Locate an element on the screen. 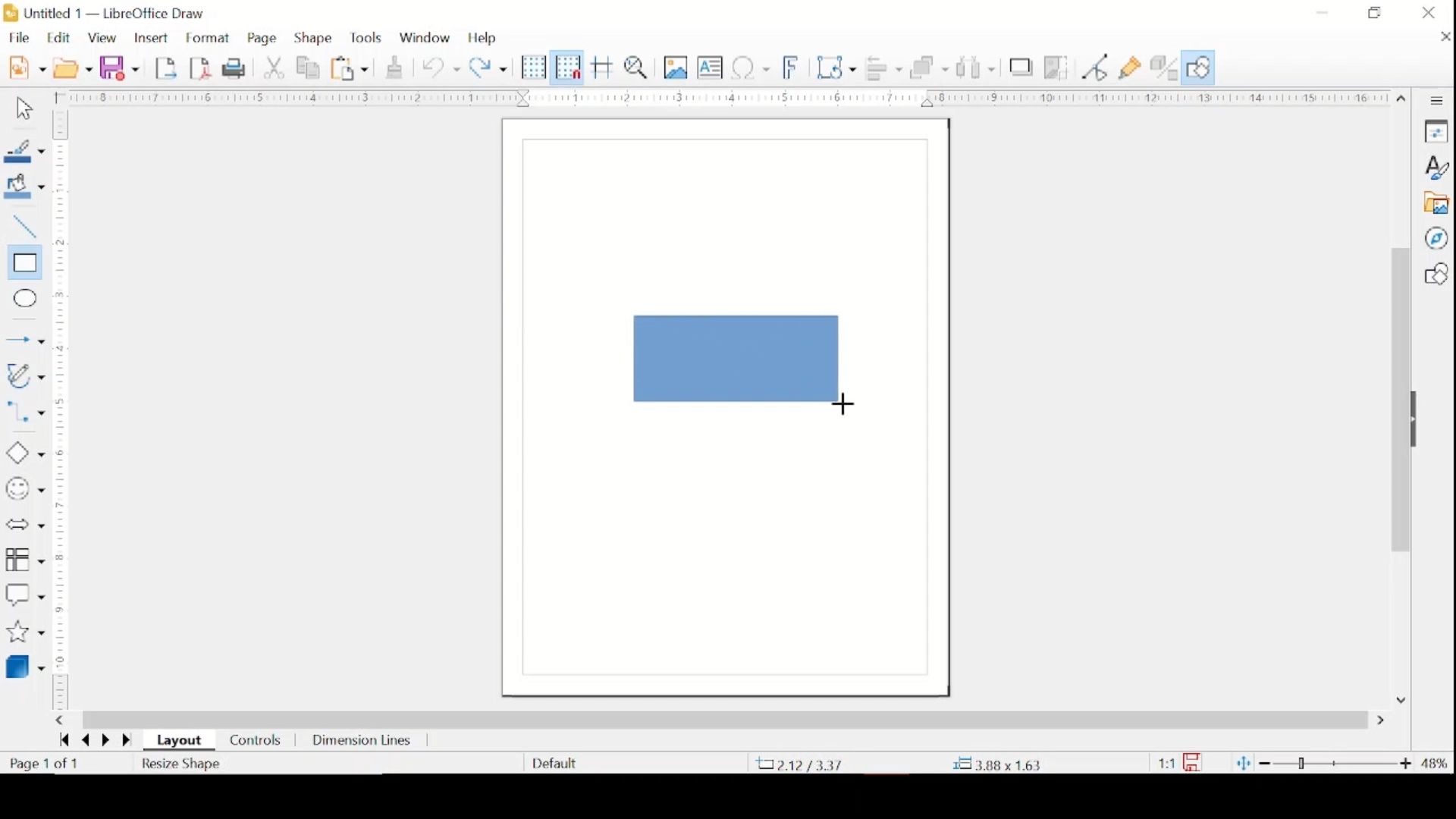 The image size is (1456, 819). file is located at coordinates (19, 37).